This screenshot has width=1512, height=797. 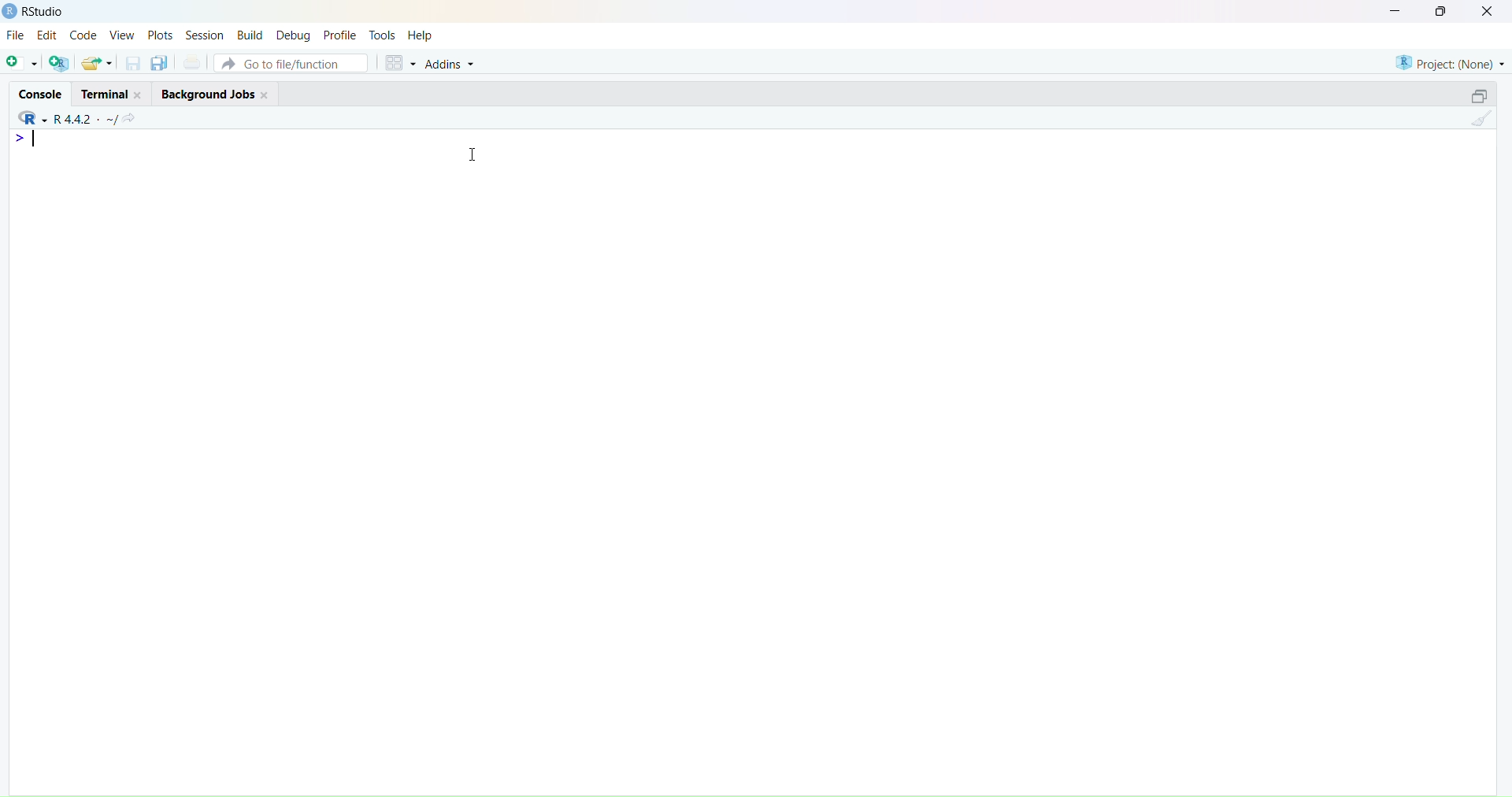 What do you see at coordinates (292, 63) in the screenshot?
I see `Go to file/function` at bounding box center [292, 63].